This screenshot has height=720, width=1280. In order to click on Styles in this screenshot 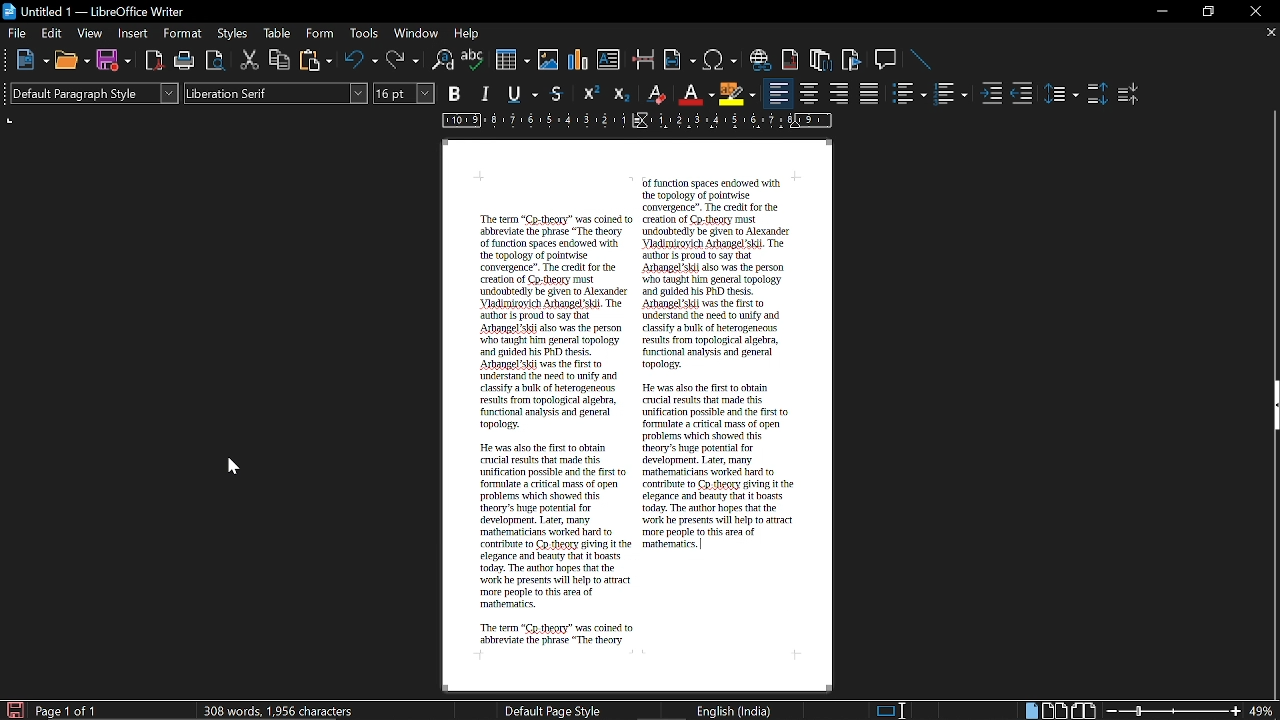, I will do `click(234, 34)`.